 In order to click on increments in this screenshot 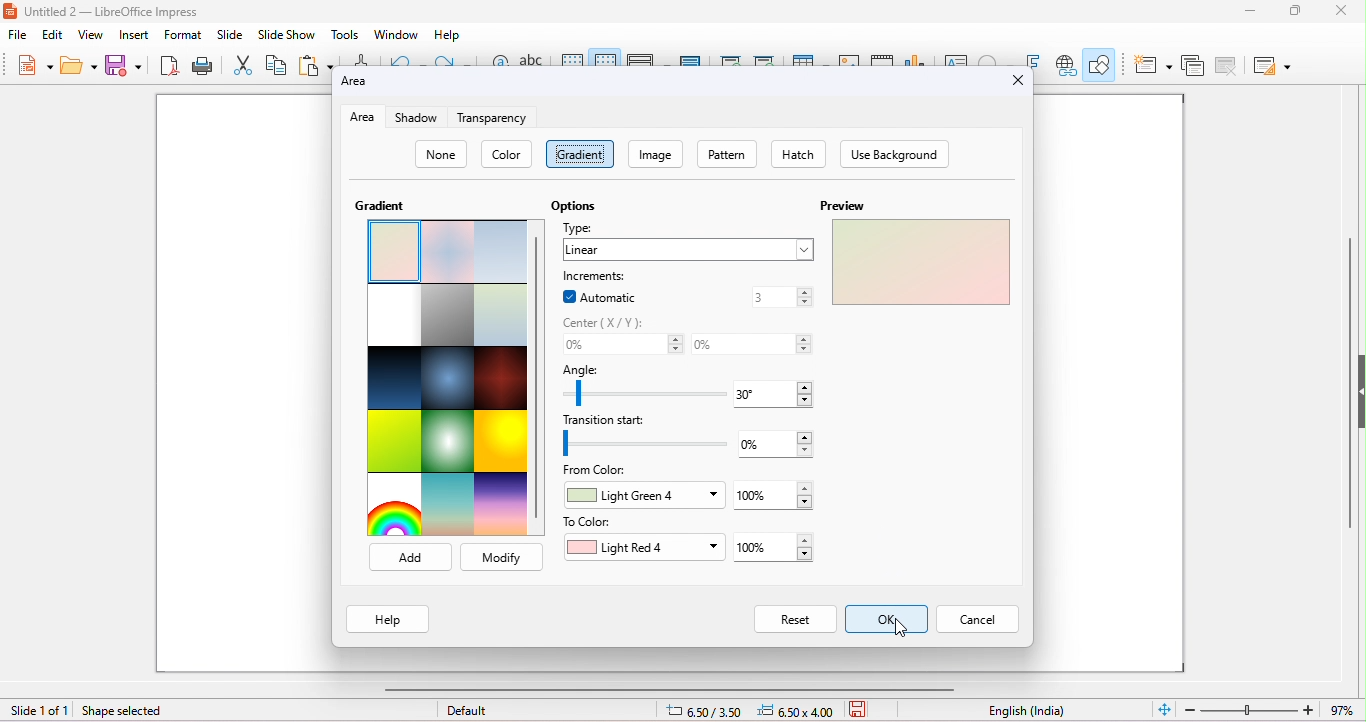, I will do `click(604, 275)`.